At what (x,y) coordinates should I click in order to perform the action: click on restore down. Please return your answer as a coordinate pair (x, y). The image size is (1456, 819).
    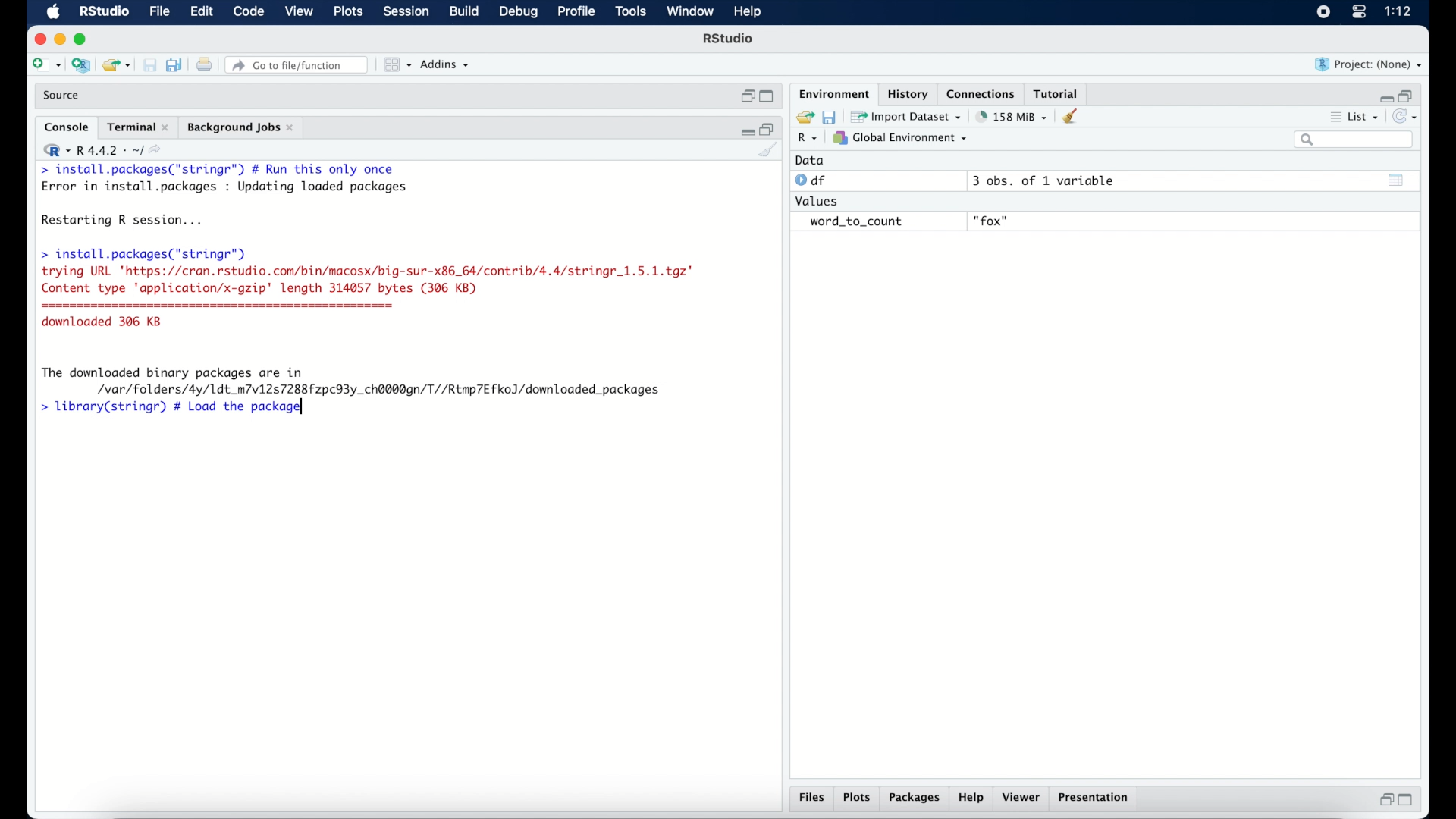
    Looking at the image, I should click on (768, 128).